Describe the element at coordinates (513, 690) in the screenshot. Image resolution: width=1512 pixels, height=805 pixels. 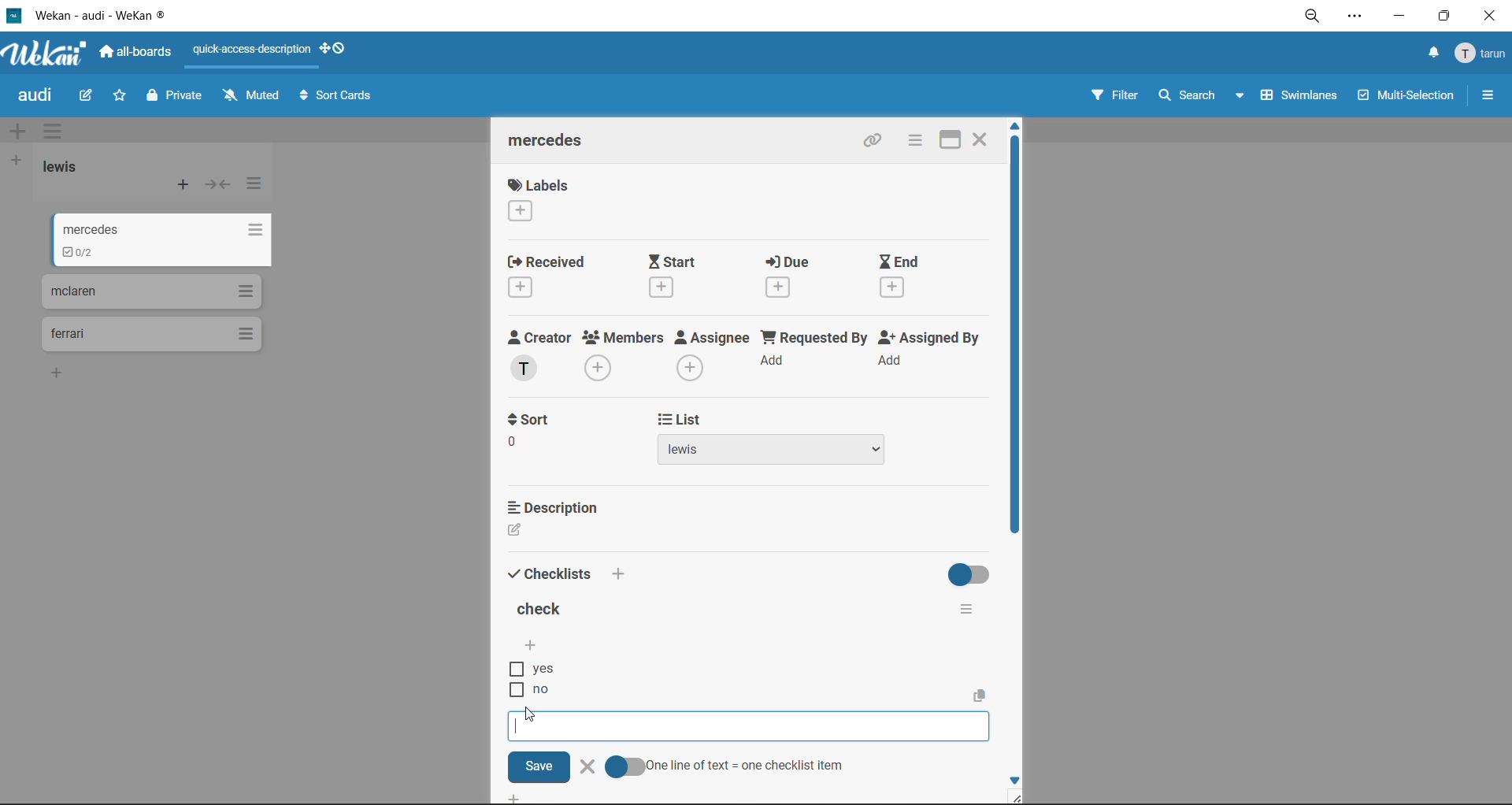
I see `Checkbox` at that location.